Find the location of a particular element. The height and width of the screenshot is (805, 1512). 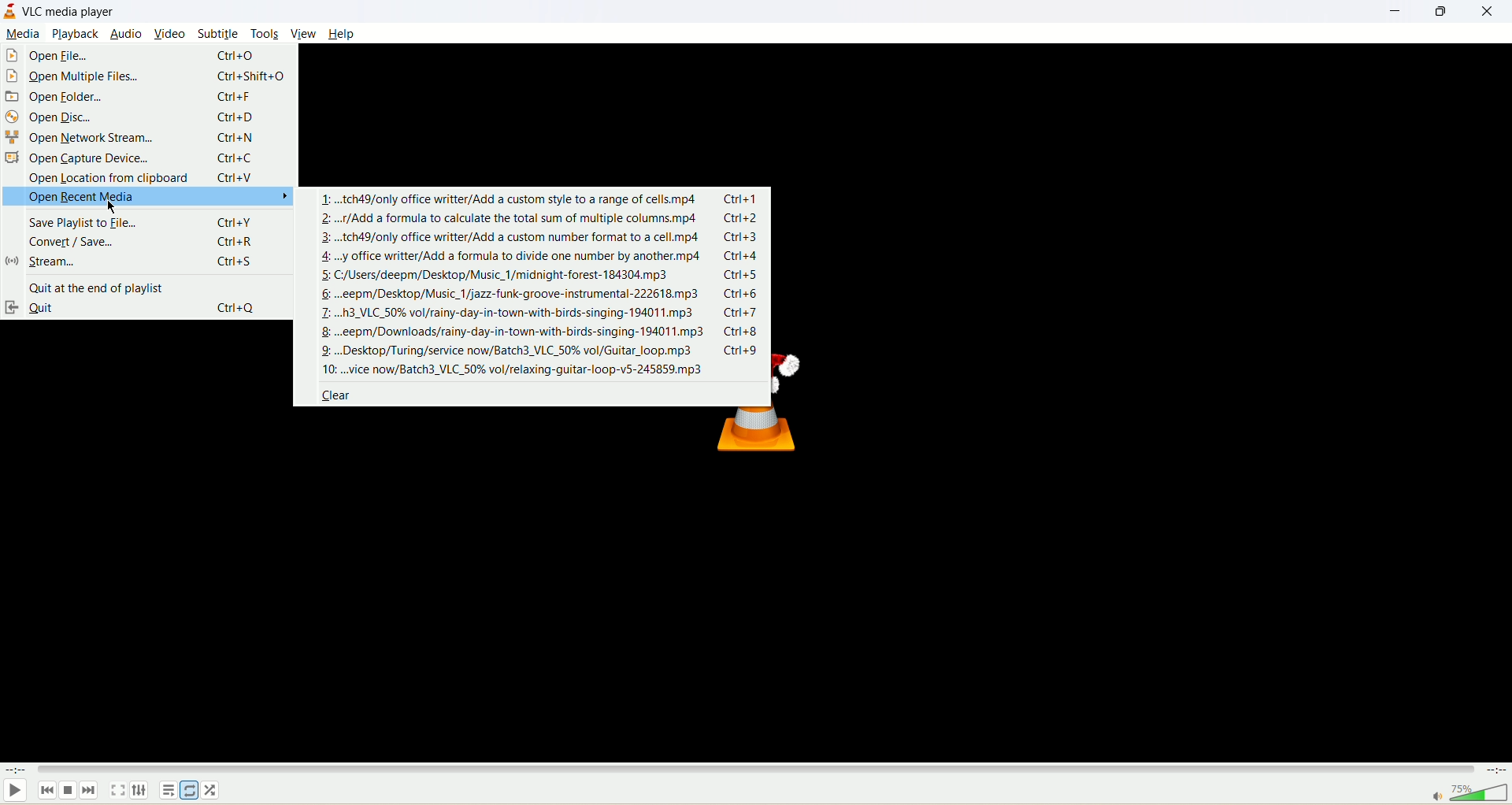

close is located at coordinates (1485, 15).